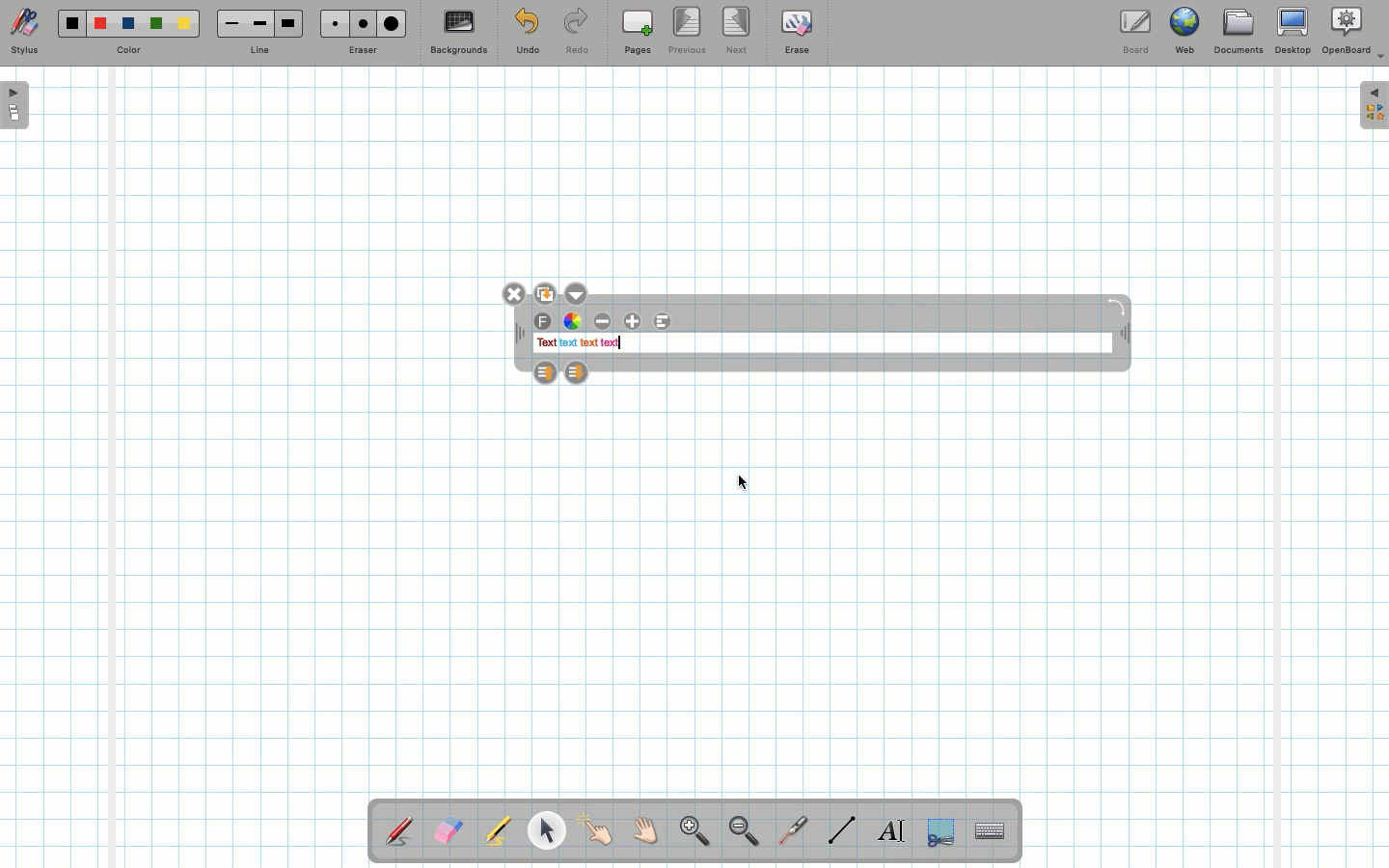 This screenshot has height=868, width=1389. I want to click on Web, so click(1184, 35).